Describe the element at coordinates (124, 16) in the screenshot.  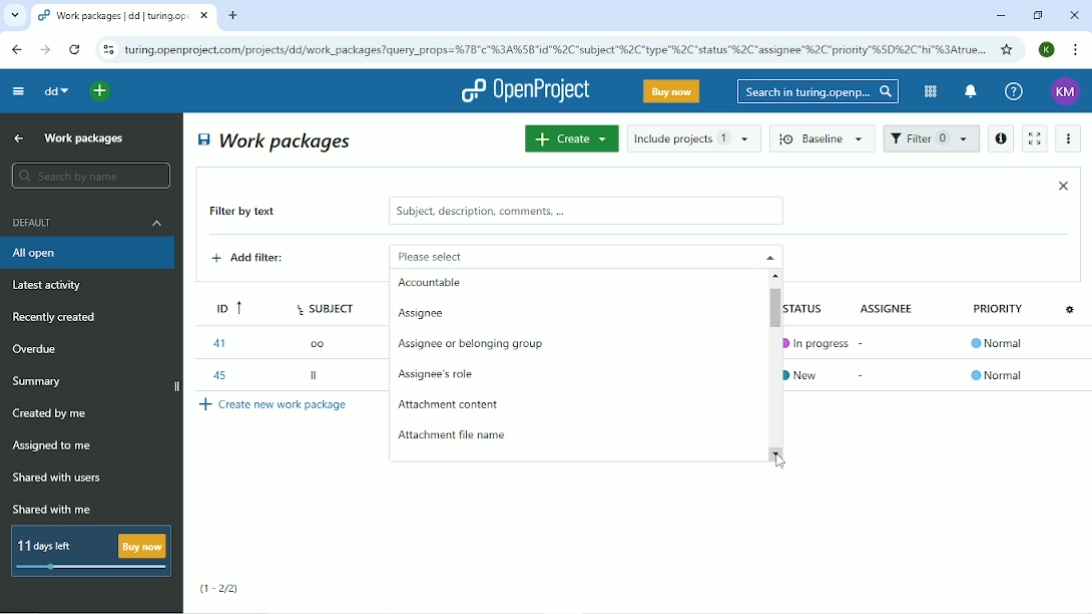
I see `Current tab` at that location.